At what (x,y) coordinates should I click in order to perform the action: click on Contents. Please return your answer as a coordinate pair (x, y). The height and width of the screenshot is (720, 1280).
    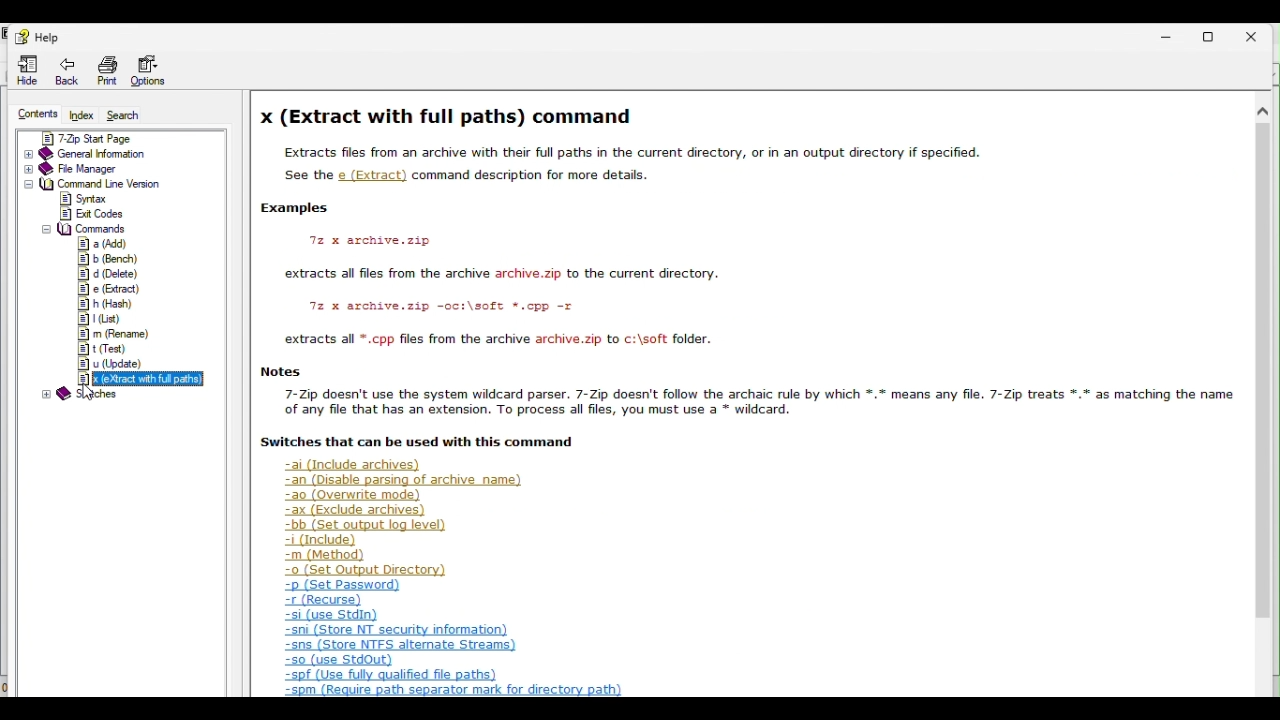
    Looking at the image, I should click on (30, 115).